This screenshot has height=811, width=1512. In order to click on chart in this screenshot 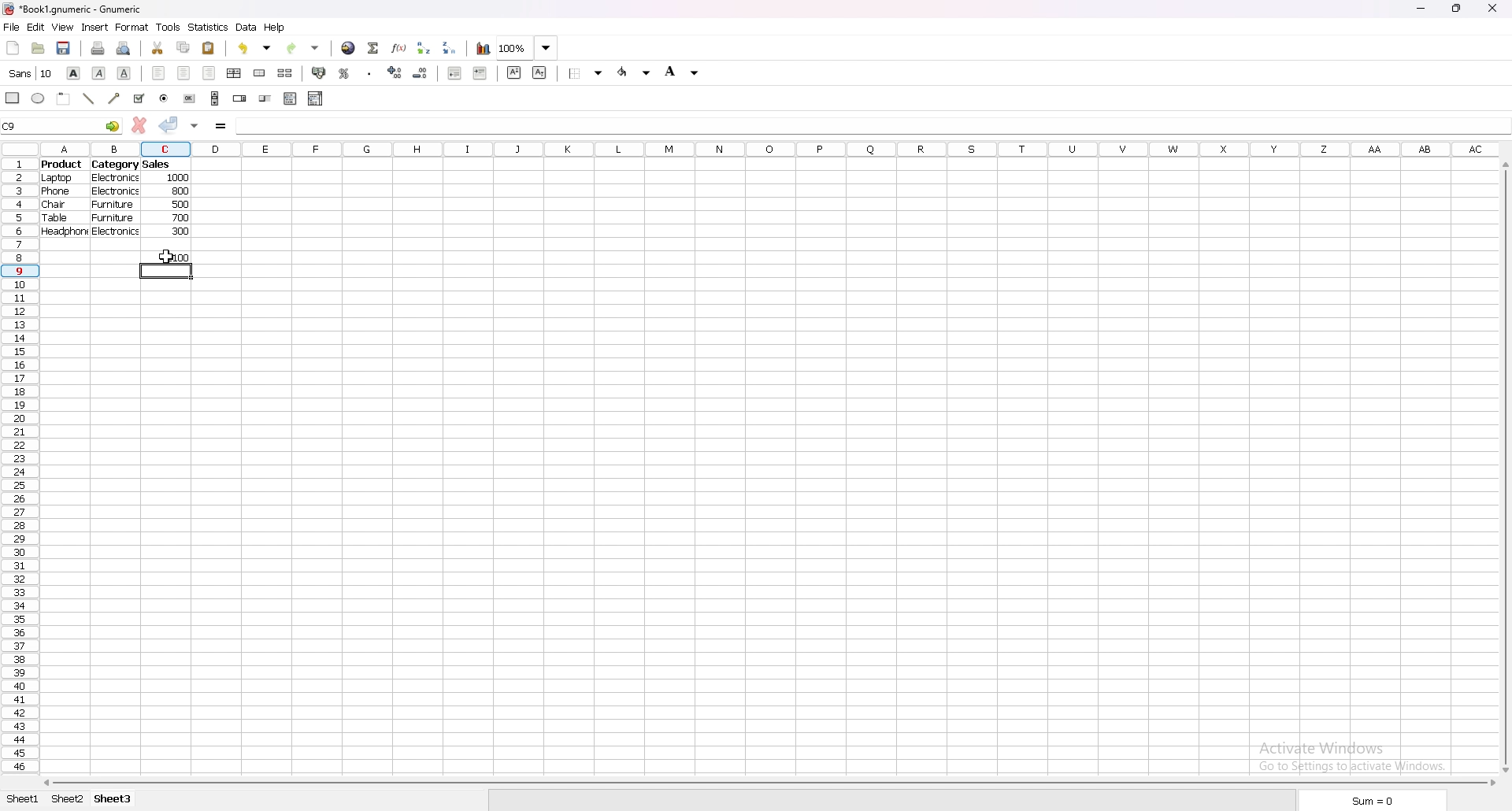, I will do `click(484, 50)`.